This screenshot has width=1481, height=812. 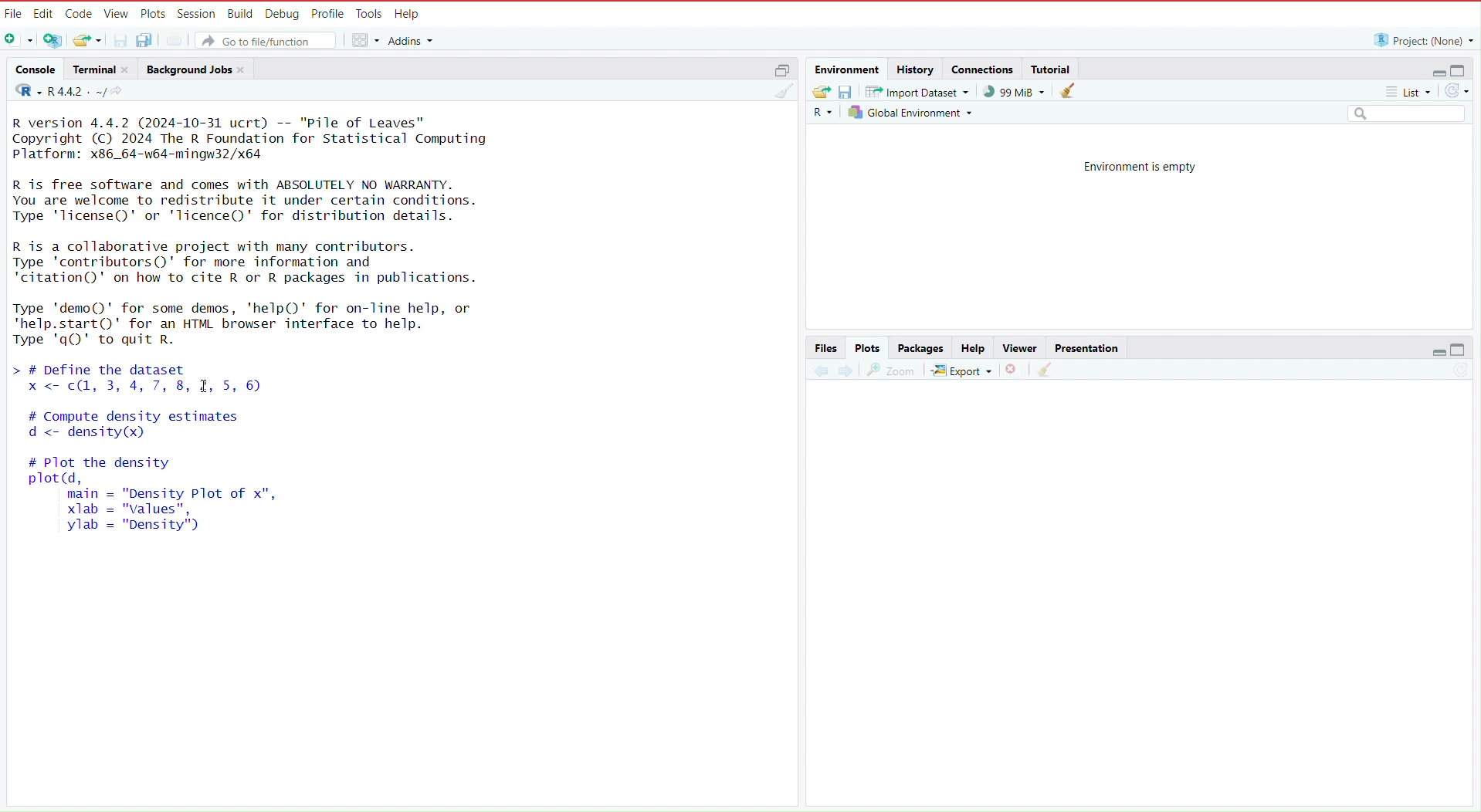 What do you see at coordinates (229, 378) in the screenshot?
I see `code to define the dataset` at bounding box center [229, 378].